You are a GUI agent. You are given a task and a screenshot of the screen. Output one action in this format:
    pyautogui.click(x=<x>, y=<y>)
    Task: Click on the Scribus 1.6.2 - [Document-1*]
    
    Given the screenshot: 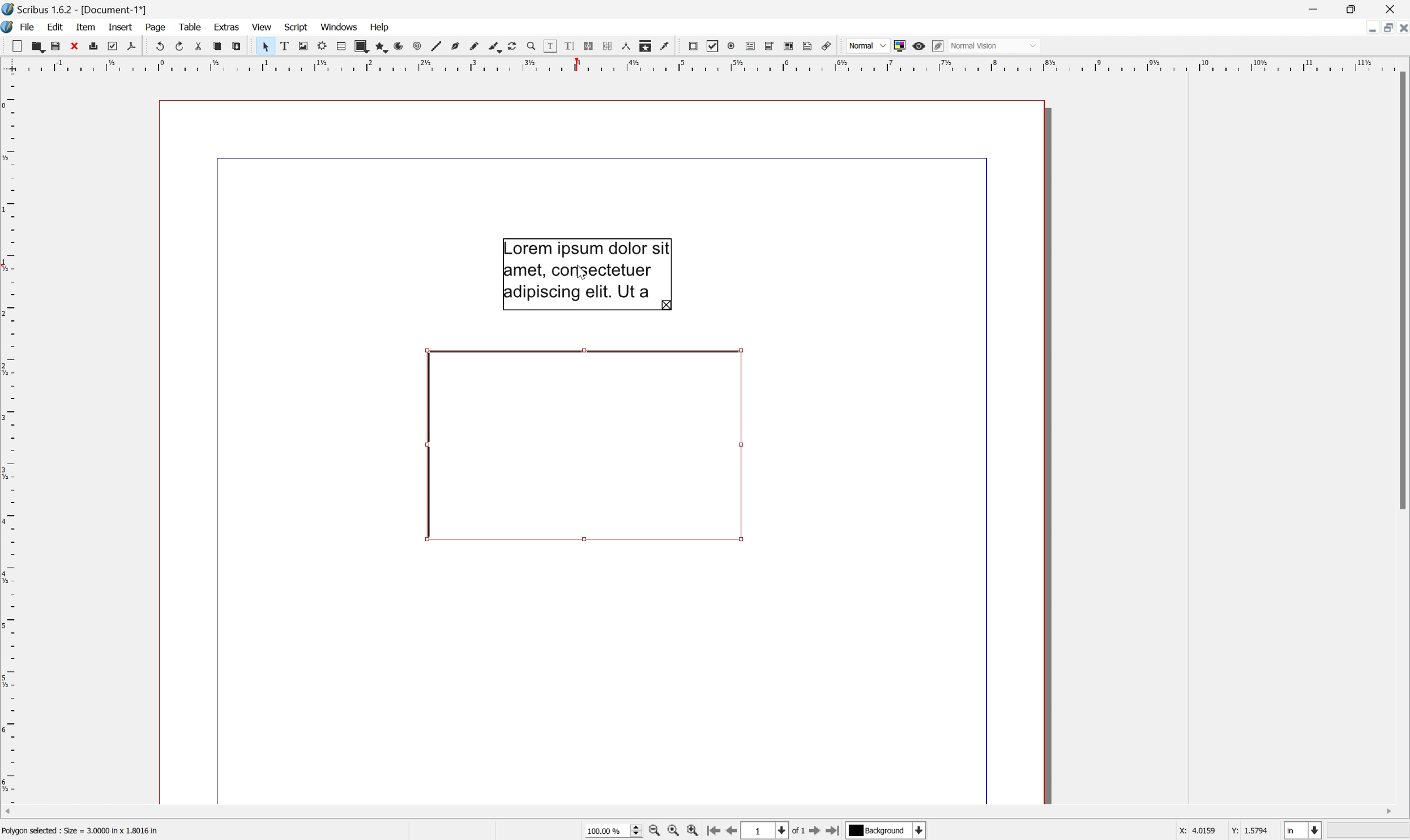 What is the action you would take?
    pyautogui.click(x=72, y=10)
    